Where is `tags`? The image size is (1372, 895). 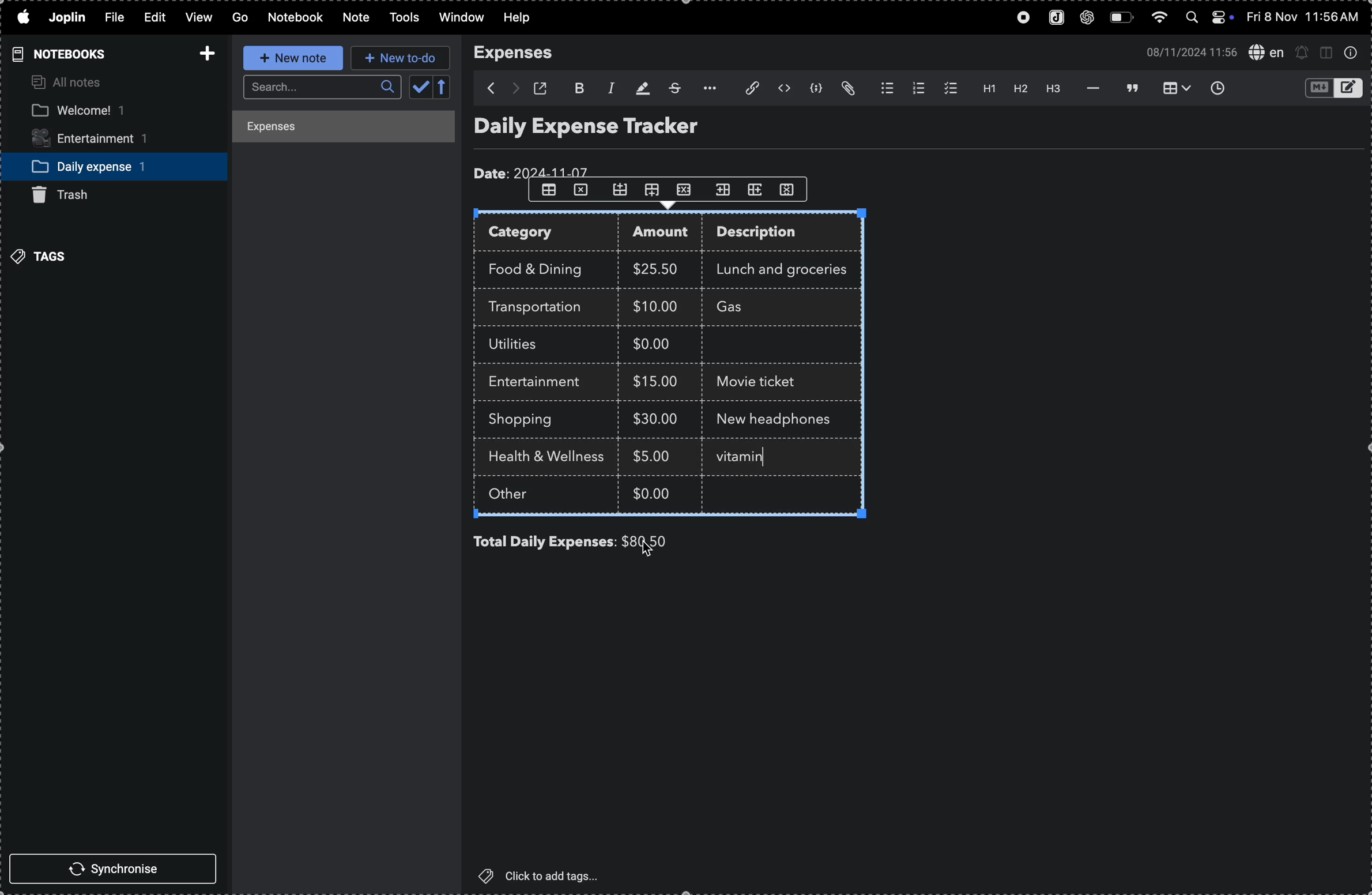 tags is located at coordinates (43, 255).